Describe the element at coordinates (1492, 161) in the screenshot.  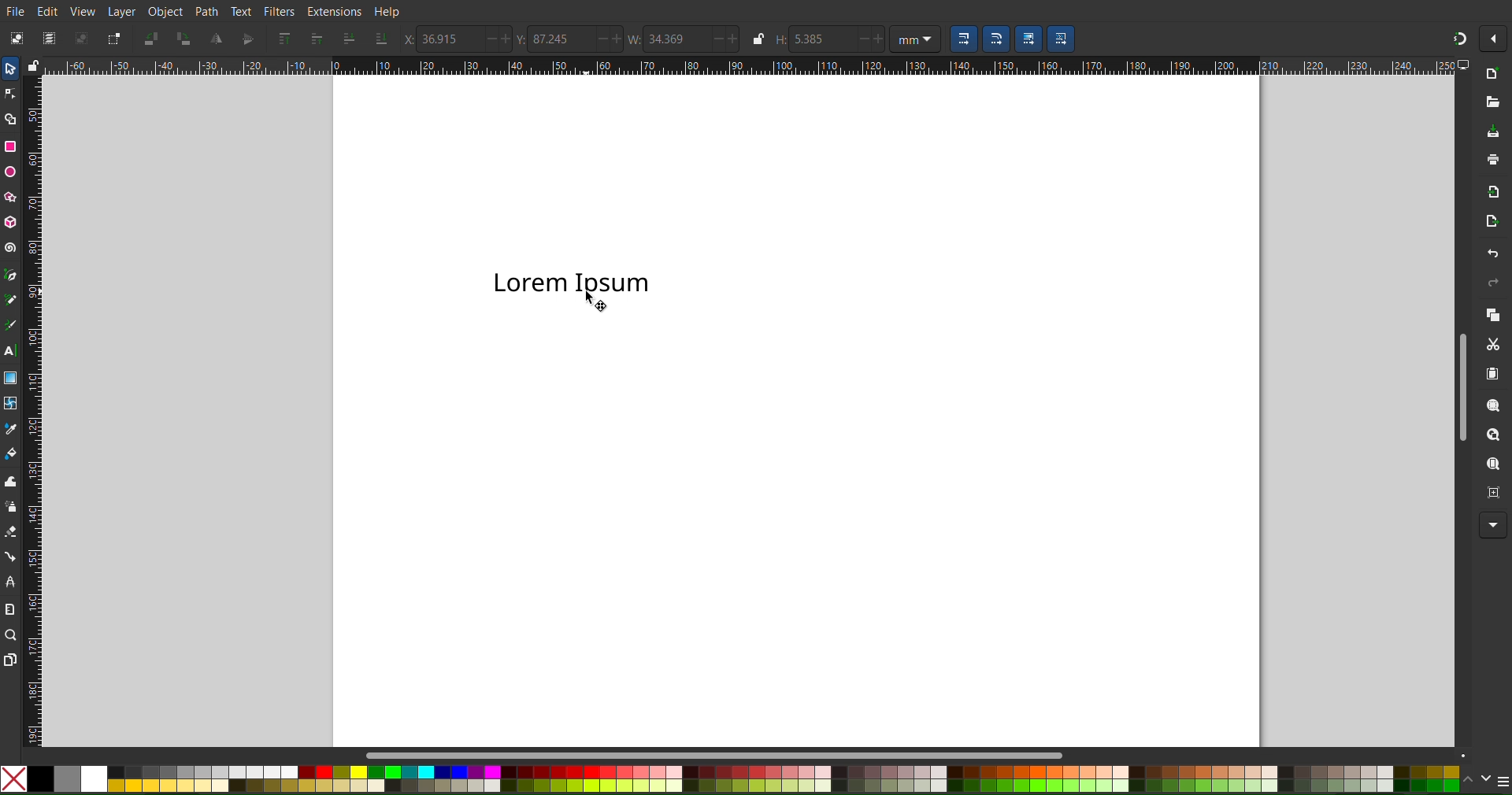
I see `Print` at that location.